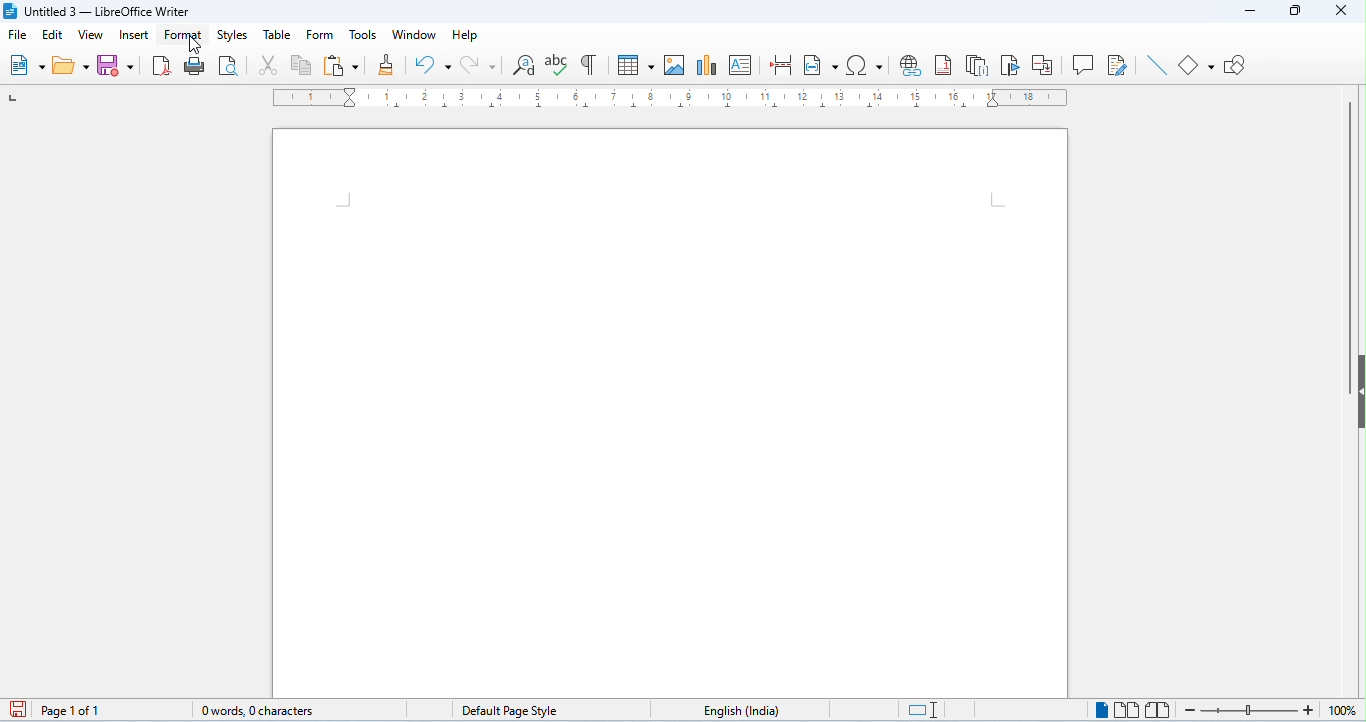 This screenshot has width=1366, height=722. Describe the element at coordinates (320, 36) in the screenshot. I see `form` at that location.